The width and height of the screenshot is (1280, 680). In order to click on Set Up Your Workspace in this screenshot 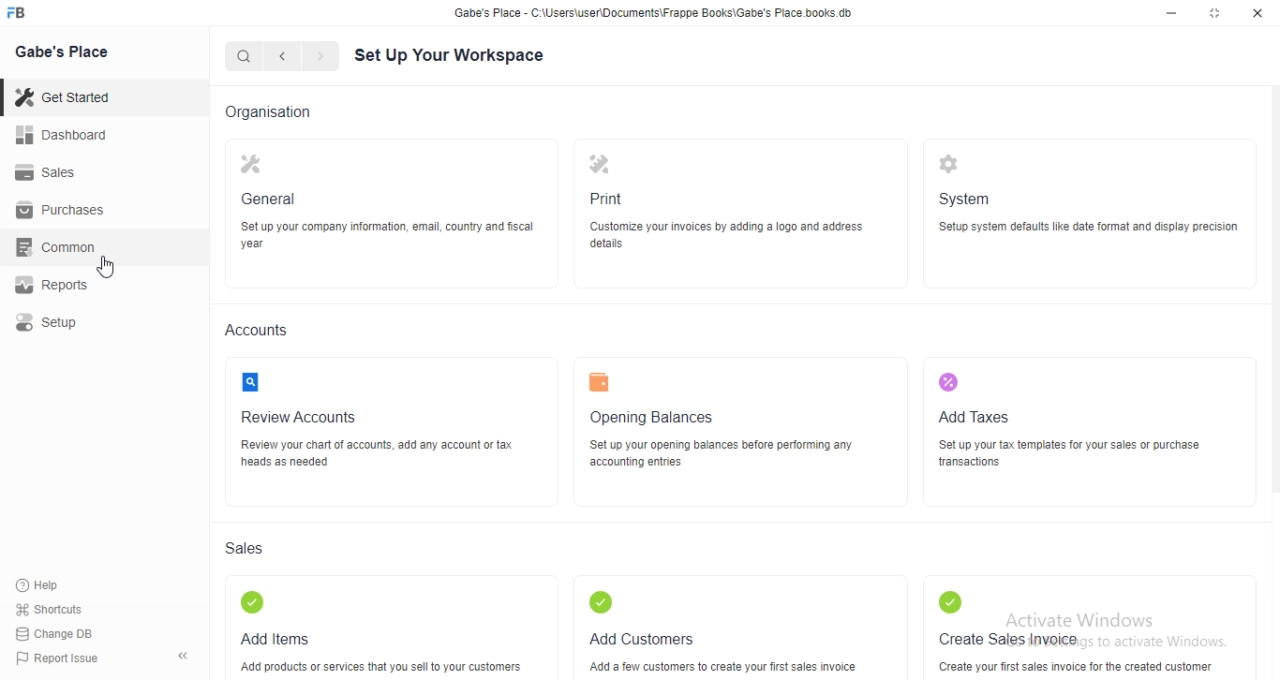, I will do `click(450, 58)`.